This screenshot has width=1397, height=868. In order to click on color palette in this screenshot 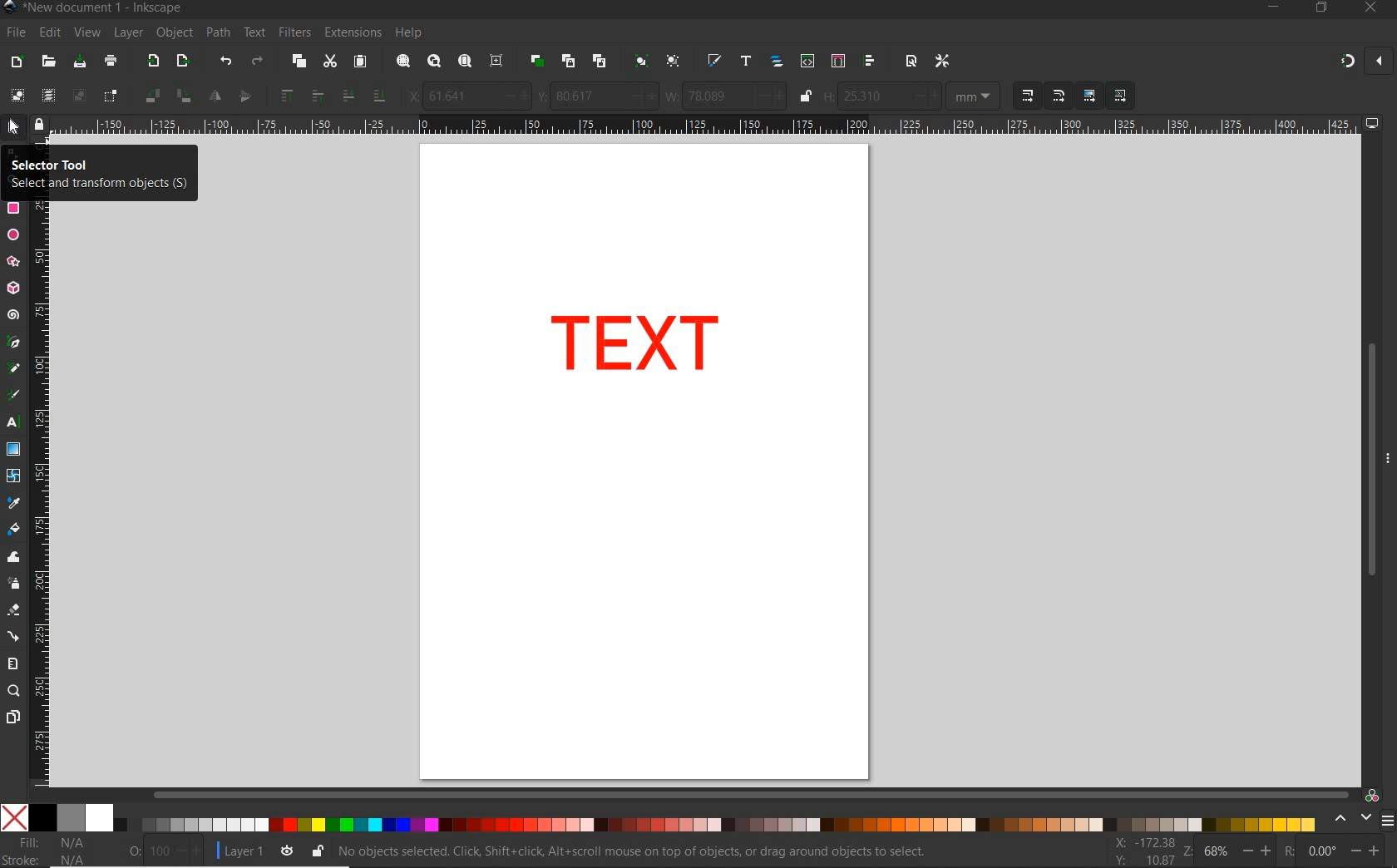, I will do `click(659, 819)`.